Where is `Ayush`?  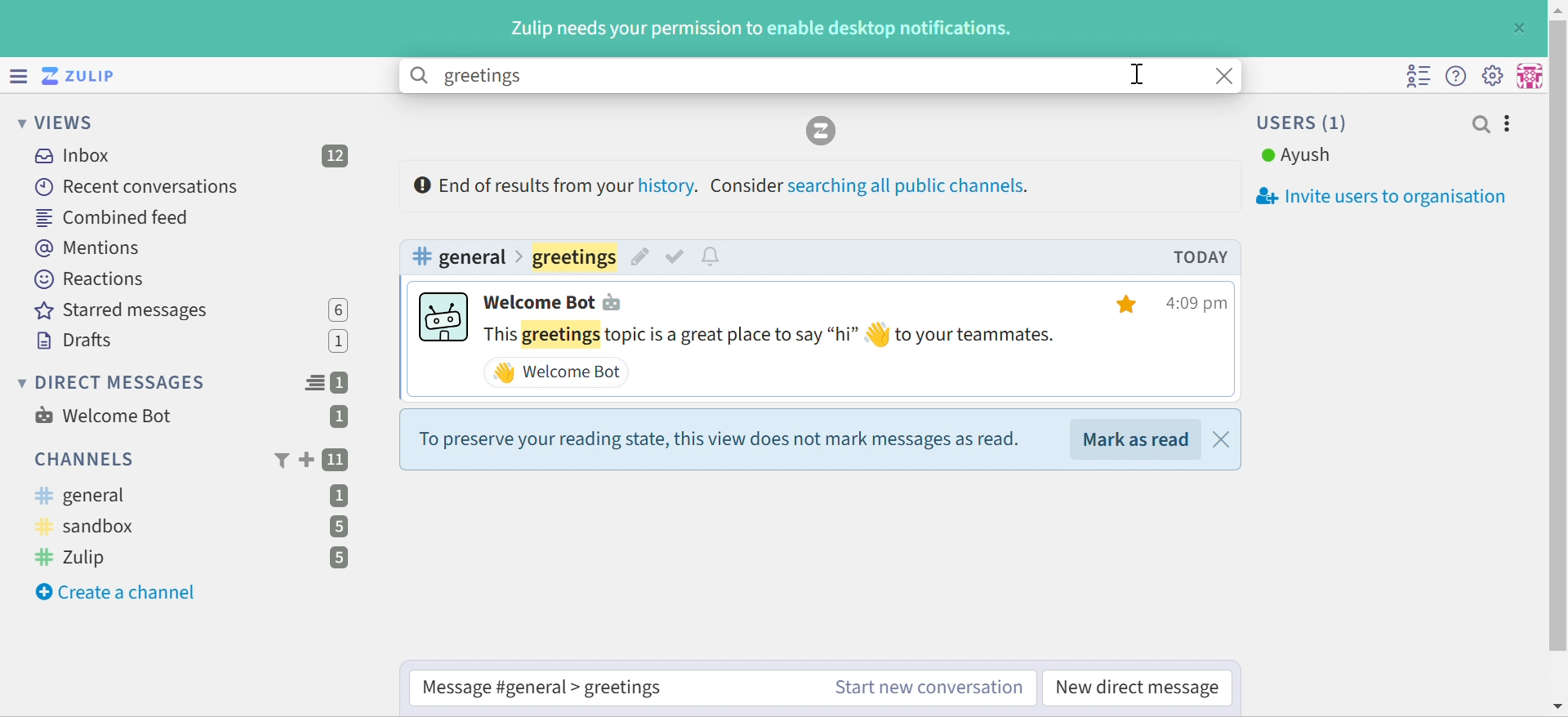
Ayush is located at coordinates (1296, 156).